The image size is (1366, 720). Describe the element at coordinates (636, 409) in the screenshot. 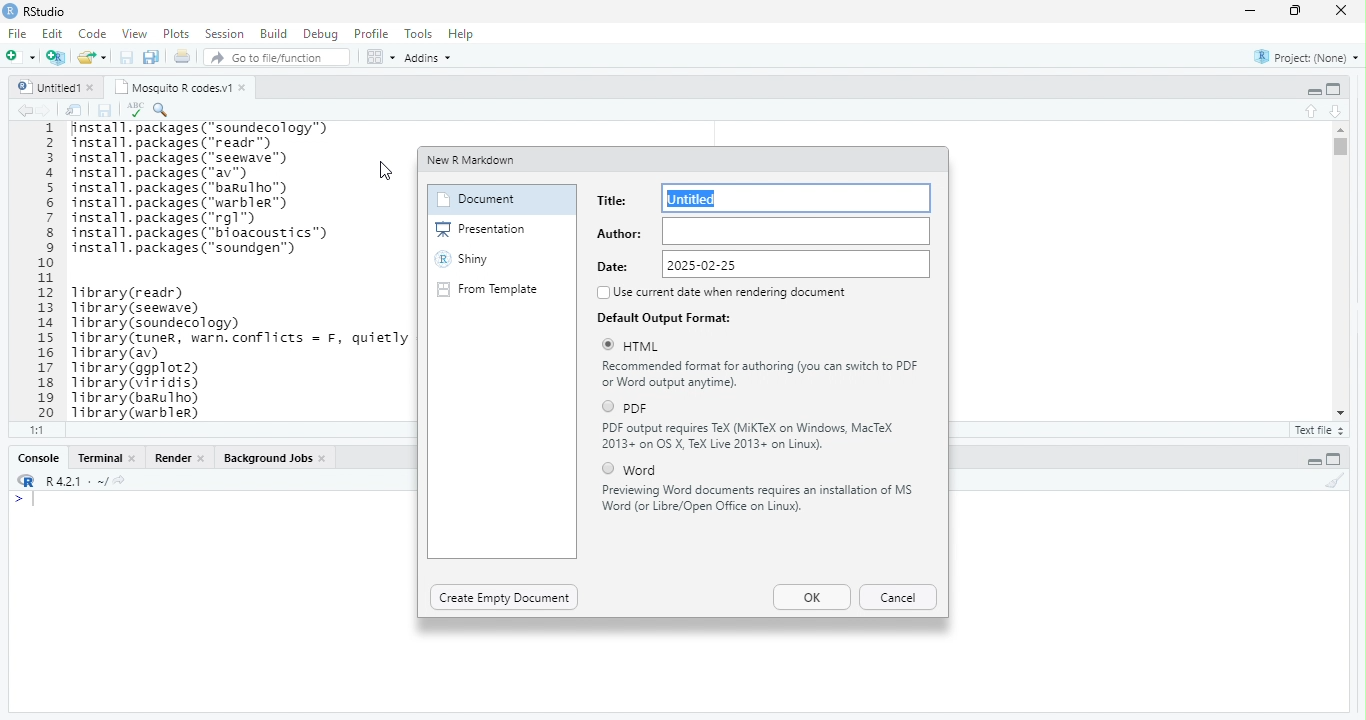

I see `PDF` at that location.